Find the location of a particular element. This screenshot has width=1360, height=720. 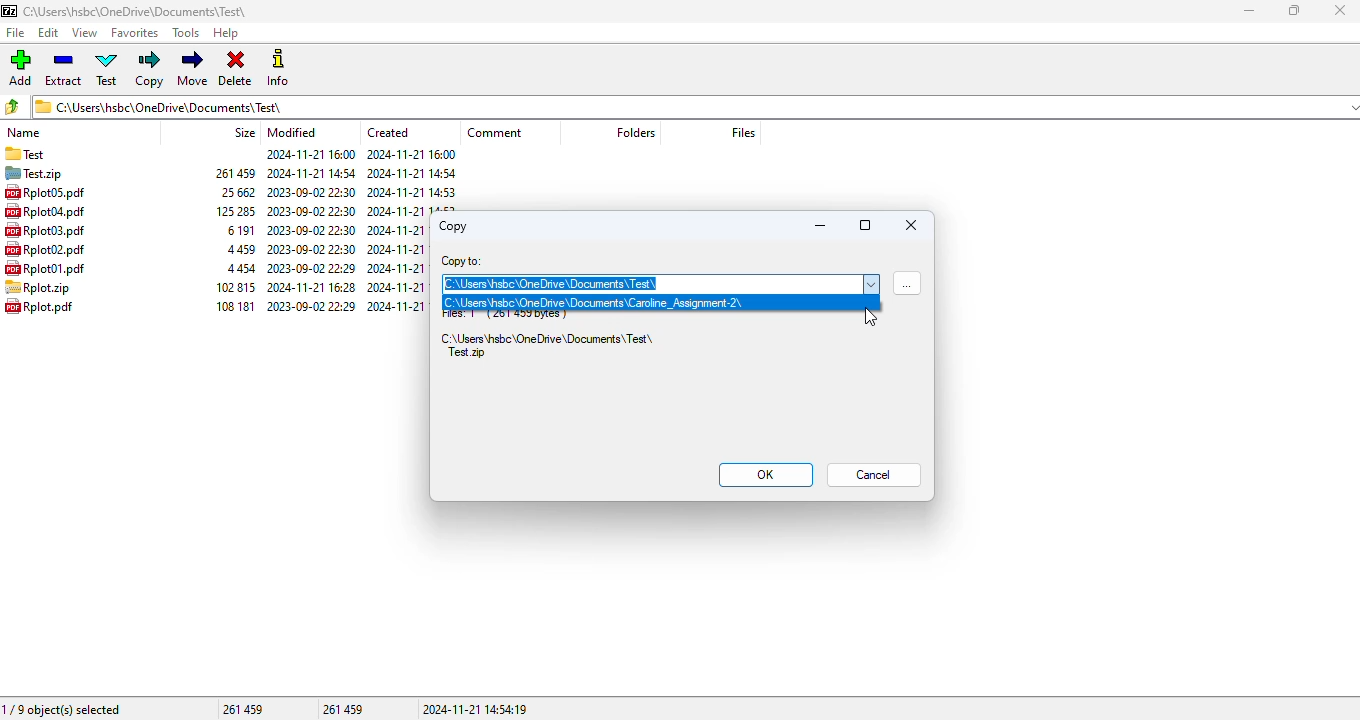

files is located at coordinates (742, 132).